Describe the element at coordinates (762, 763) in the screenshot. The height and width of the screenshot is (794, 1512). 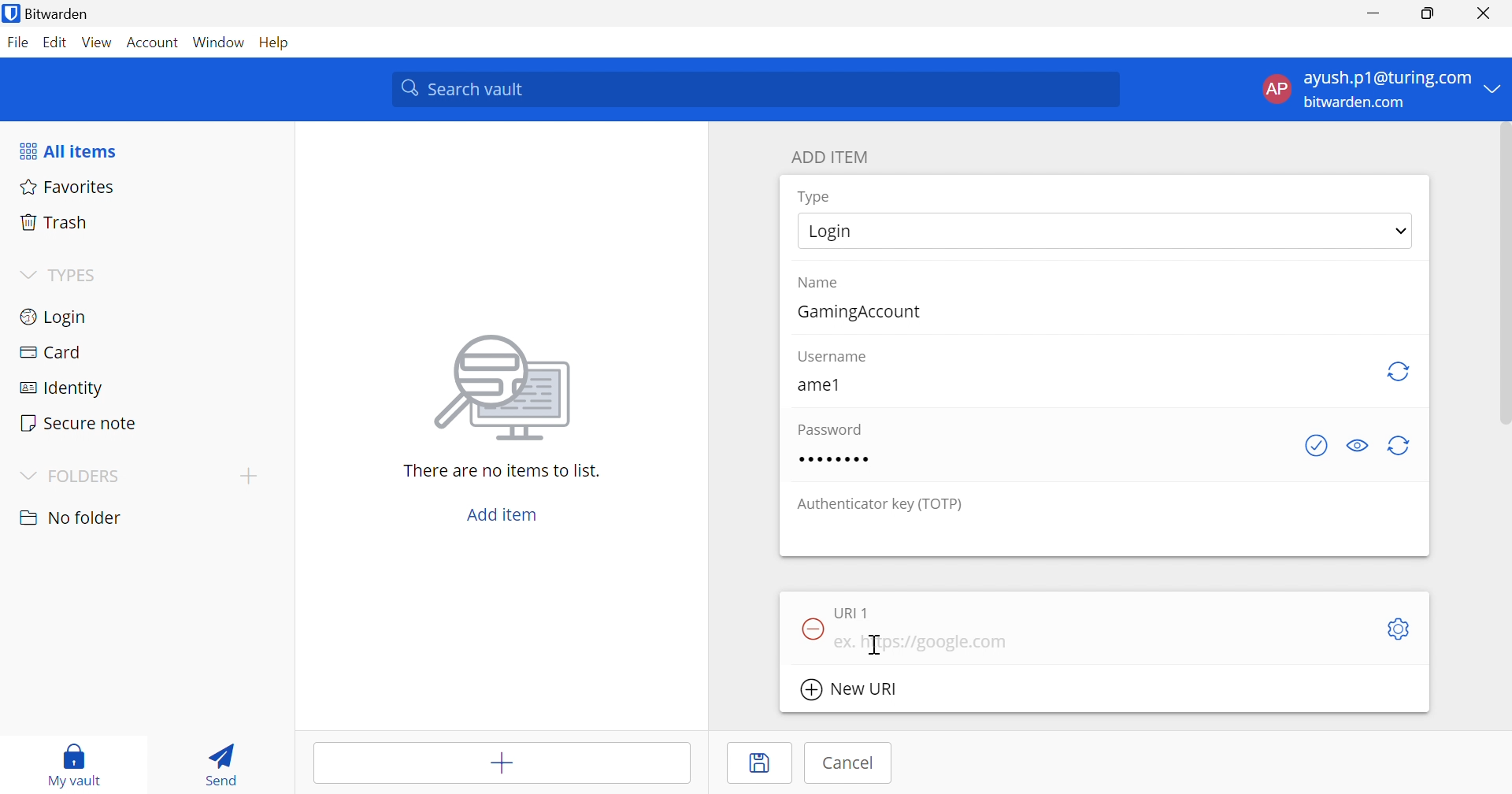
I see `Save` at that location.